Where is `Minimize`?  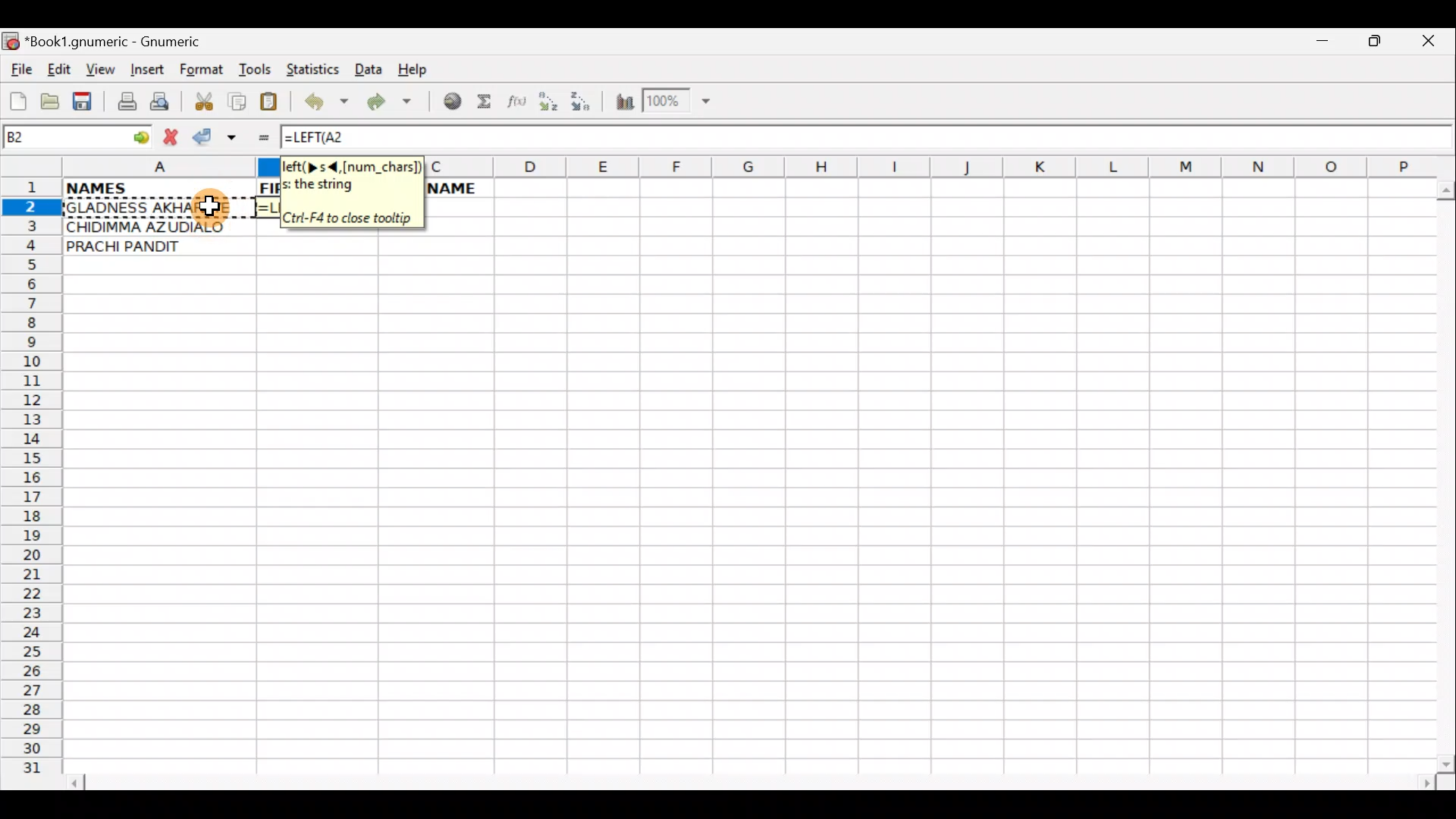
Minimize is located at coordinates (1319, 45).